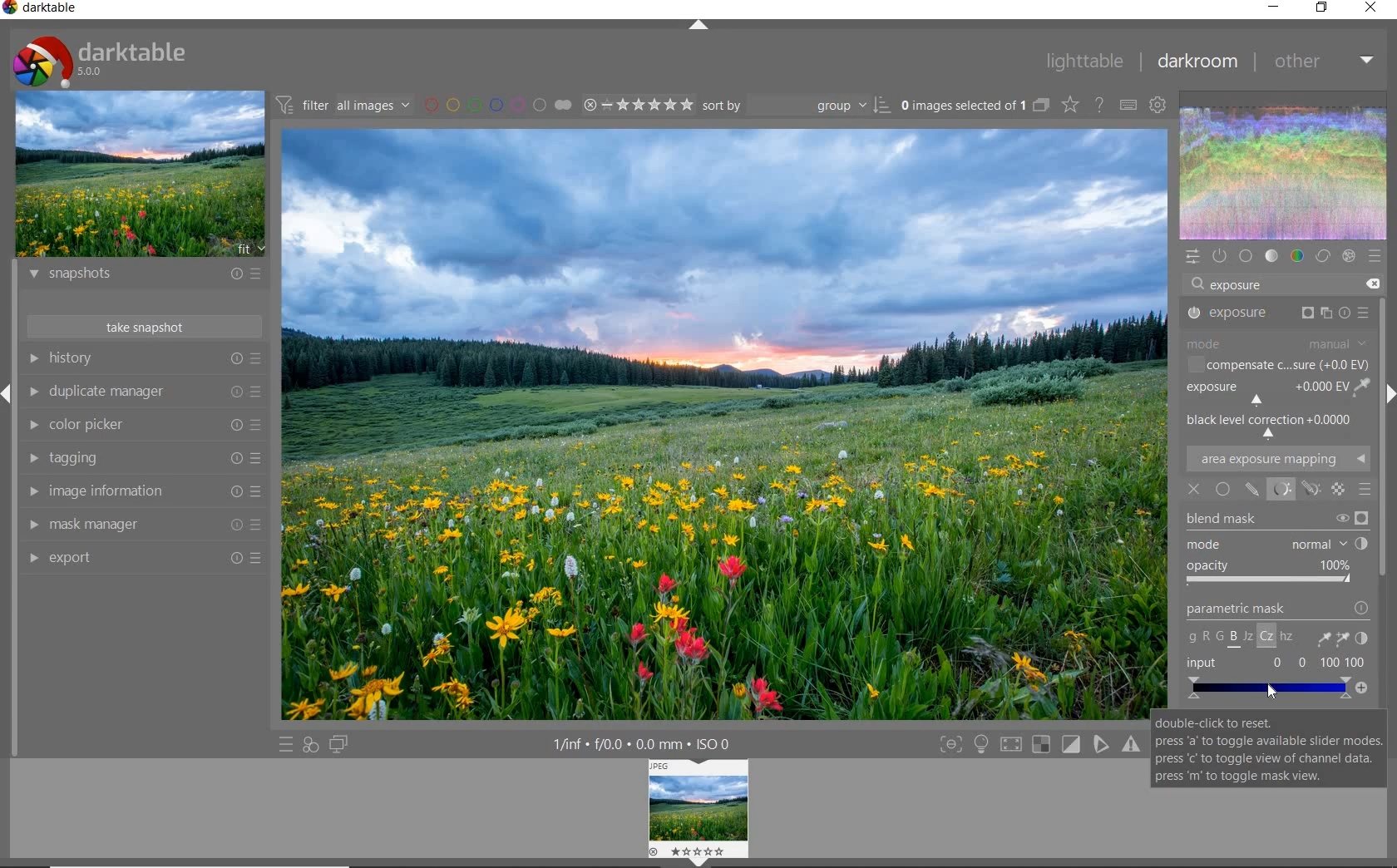 The width and height of the screenshot is (1397, 868). What do you see at coordinates (496, 105) in the screenshot?
I see `filter by image color` at bounding box center [496, 105].